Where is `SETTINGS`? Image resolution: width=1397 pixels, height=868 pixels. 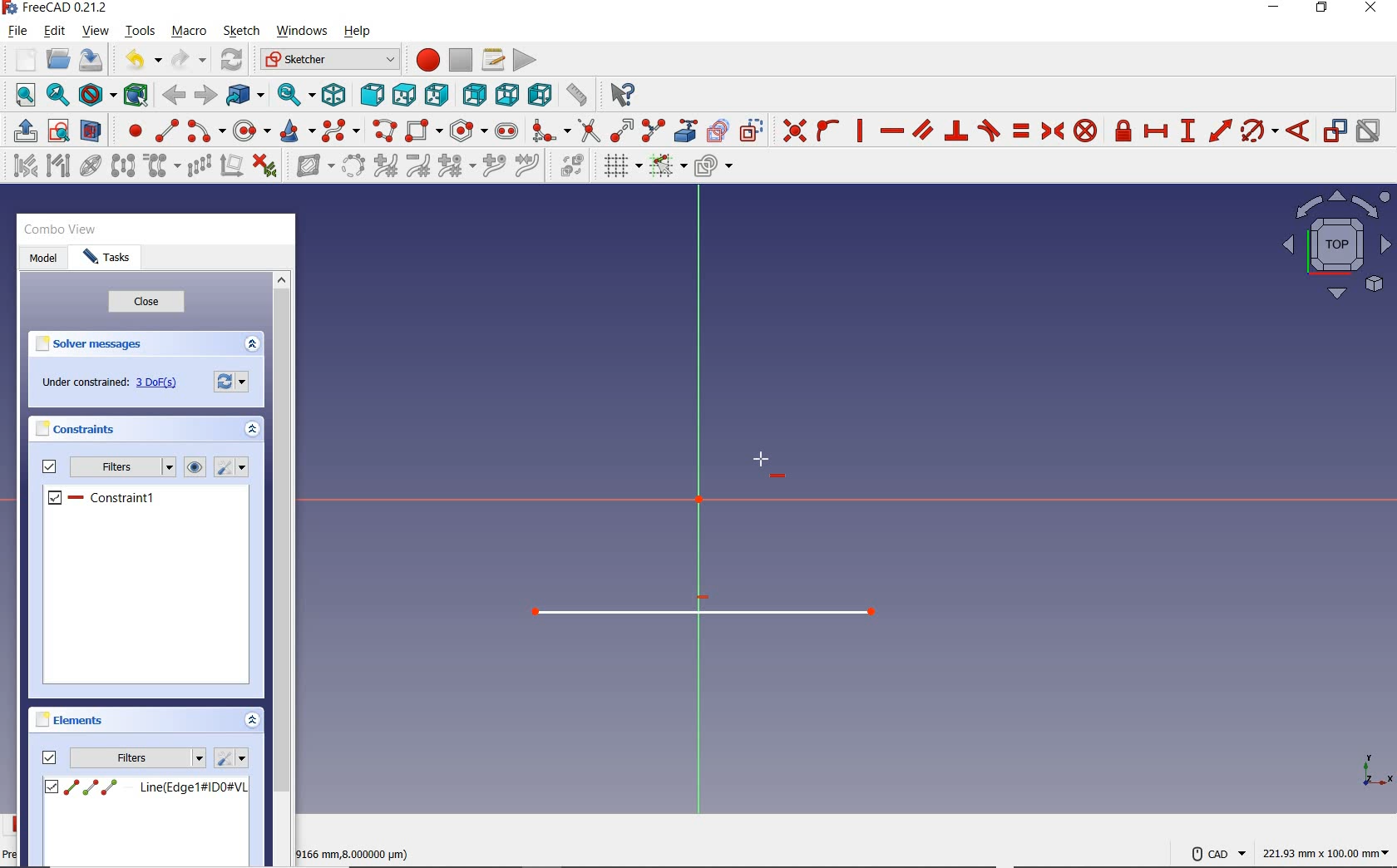
SETTINGS is located at coordinates (231, 757).